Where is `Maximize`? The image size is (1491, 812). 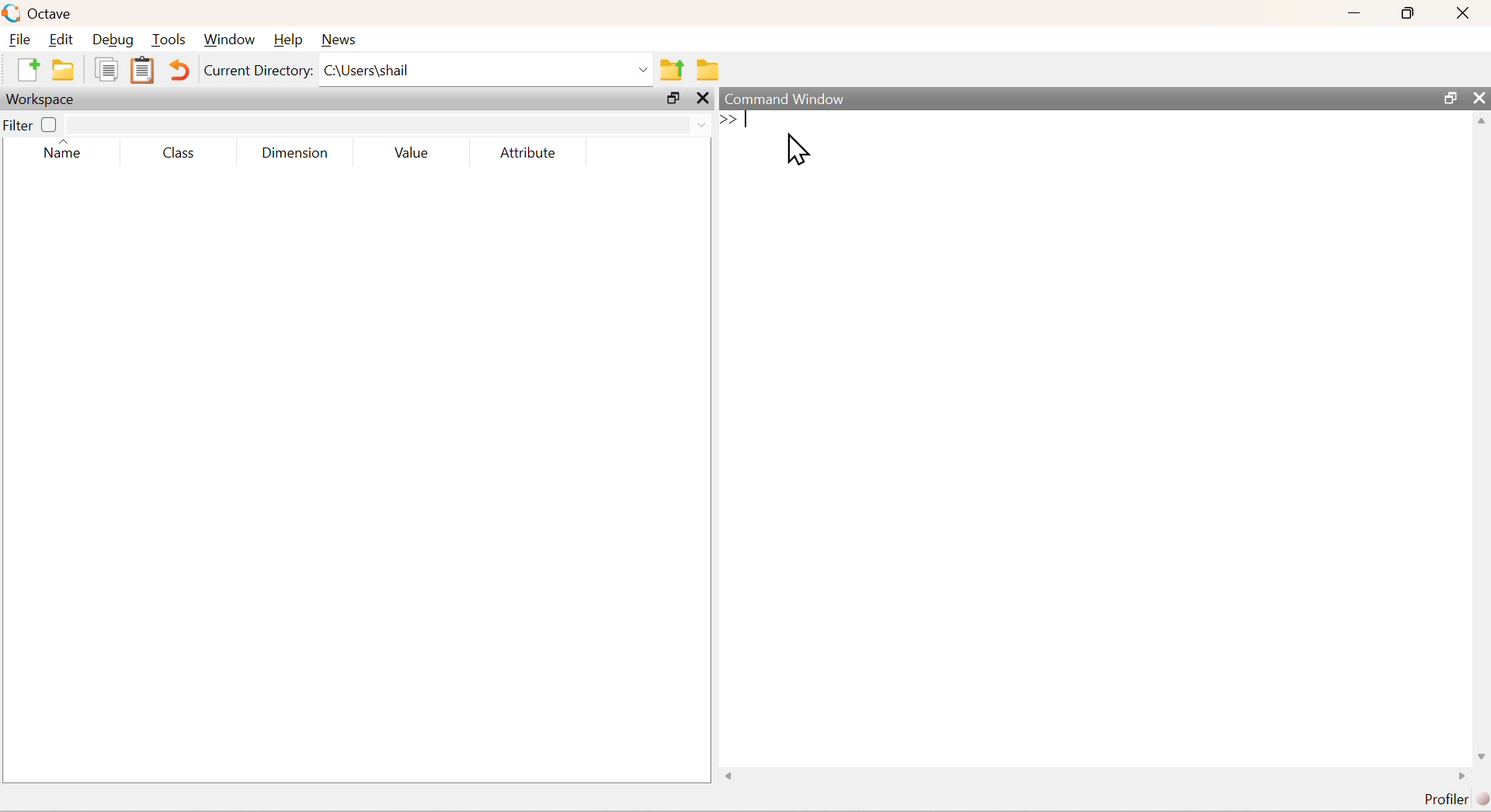
Maximize is located at coordinates (671, 98).